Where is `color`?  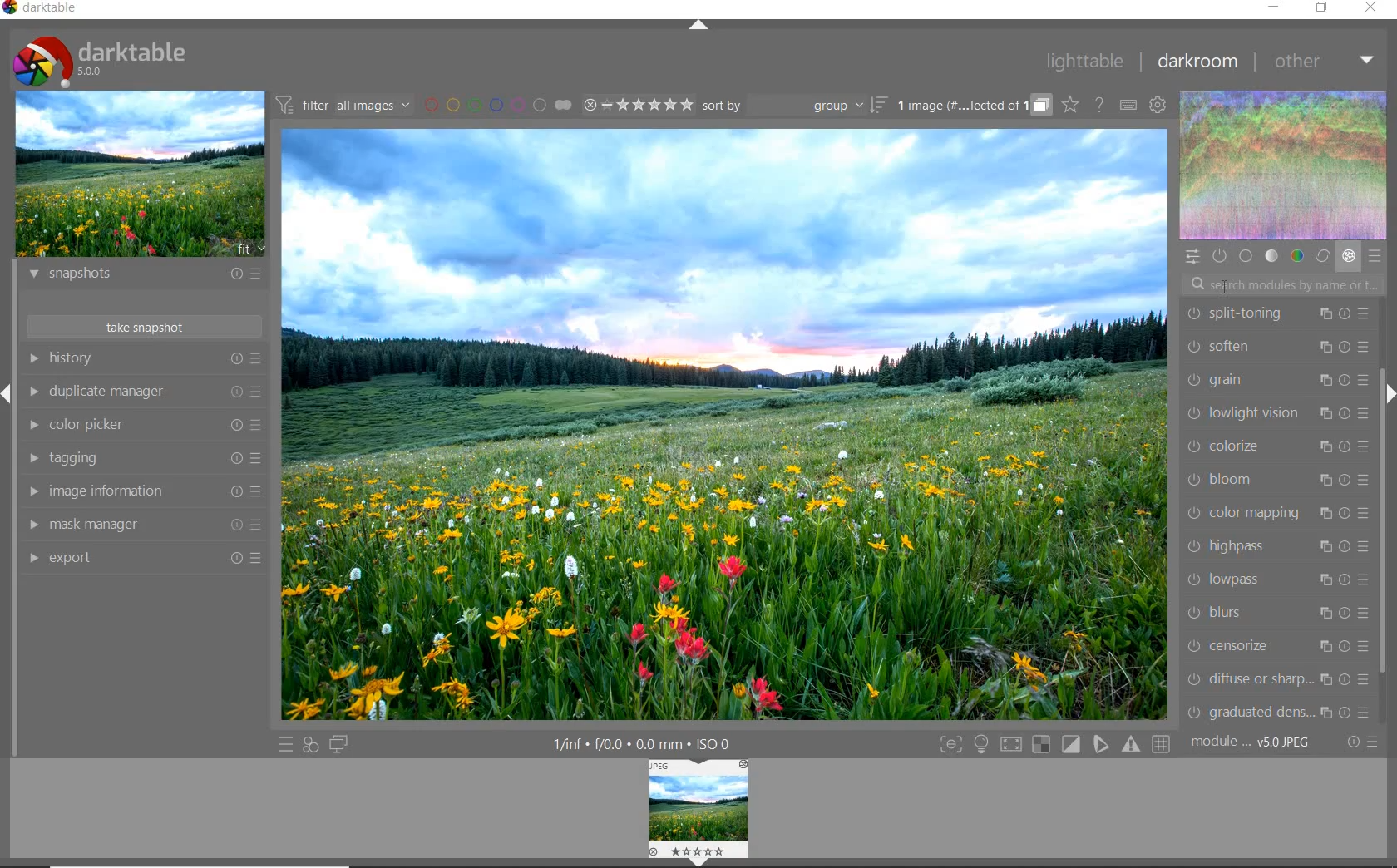
color is located at coordinates (1296, 256).